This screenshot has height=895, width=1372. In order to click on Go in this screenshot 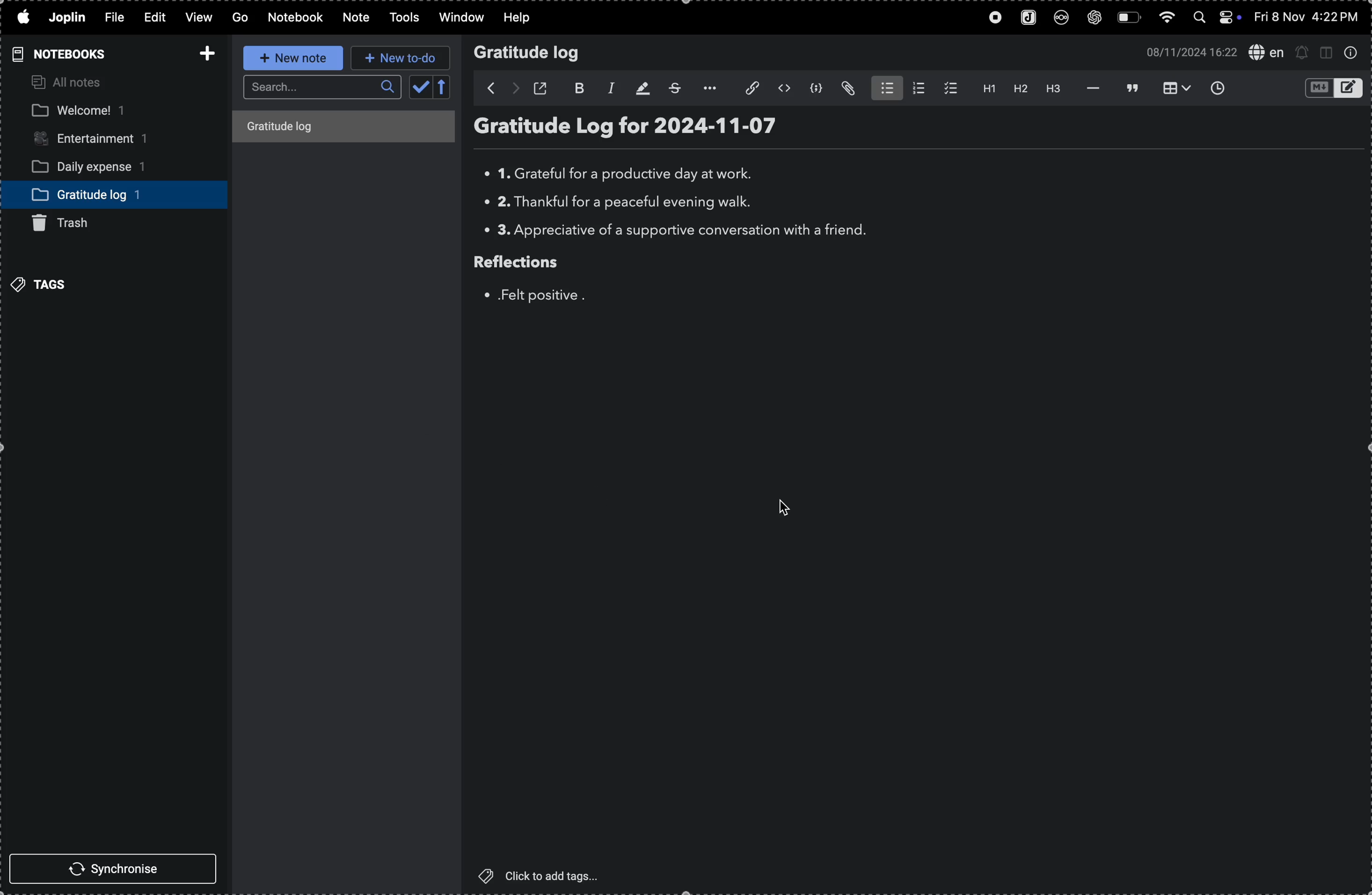, I will do `click(240, 18)`.